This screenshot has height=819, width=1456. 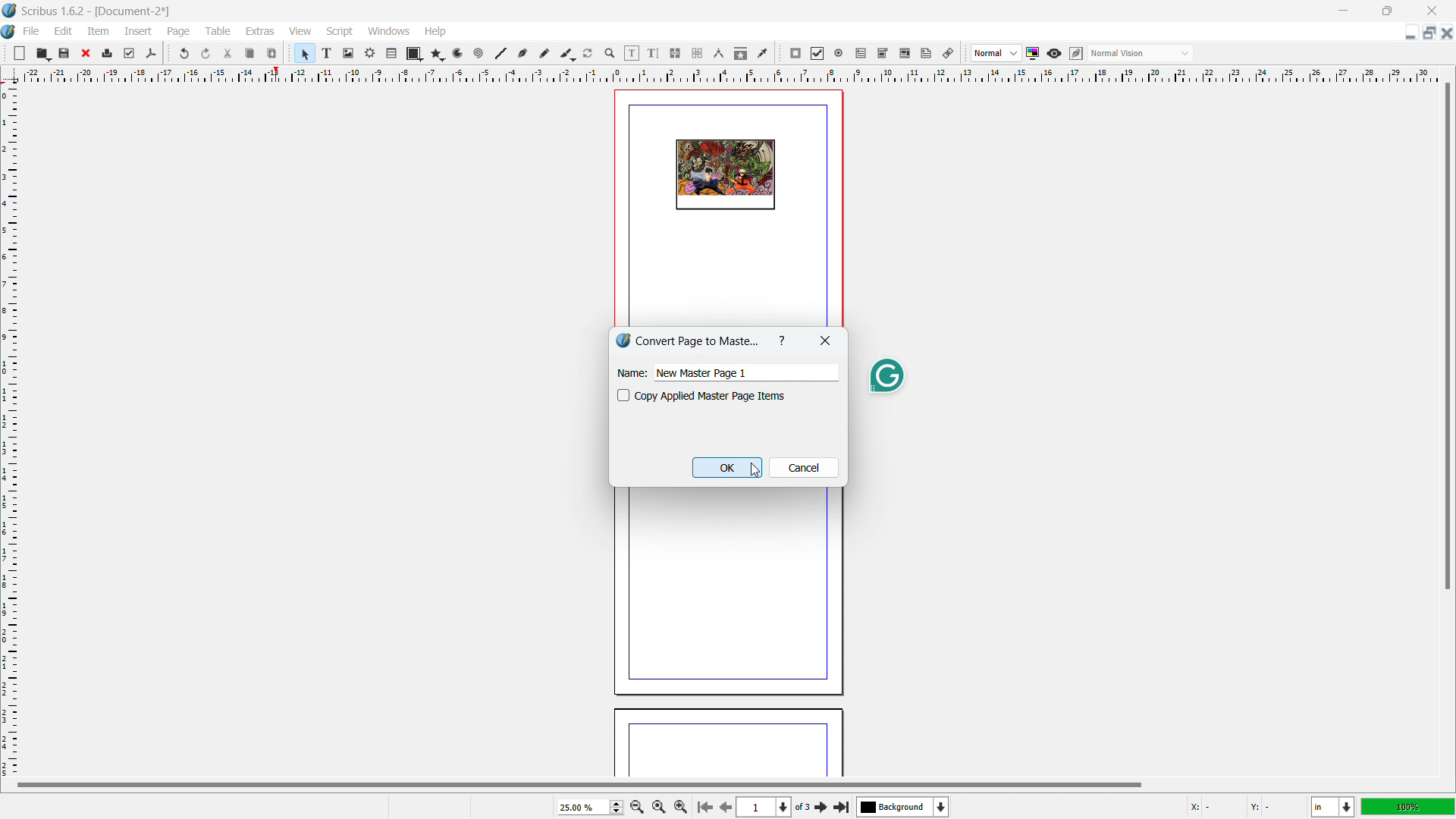 What do you see at coordinates (728, 745) in the screenshot?
I see `page` at bounding box center [728, 745].